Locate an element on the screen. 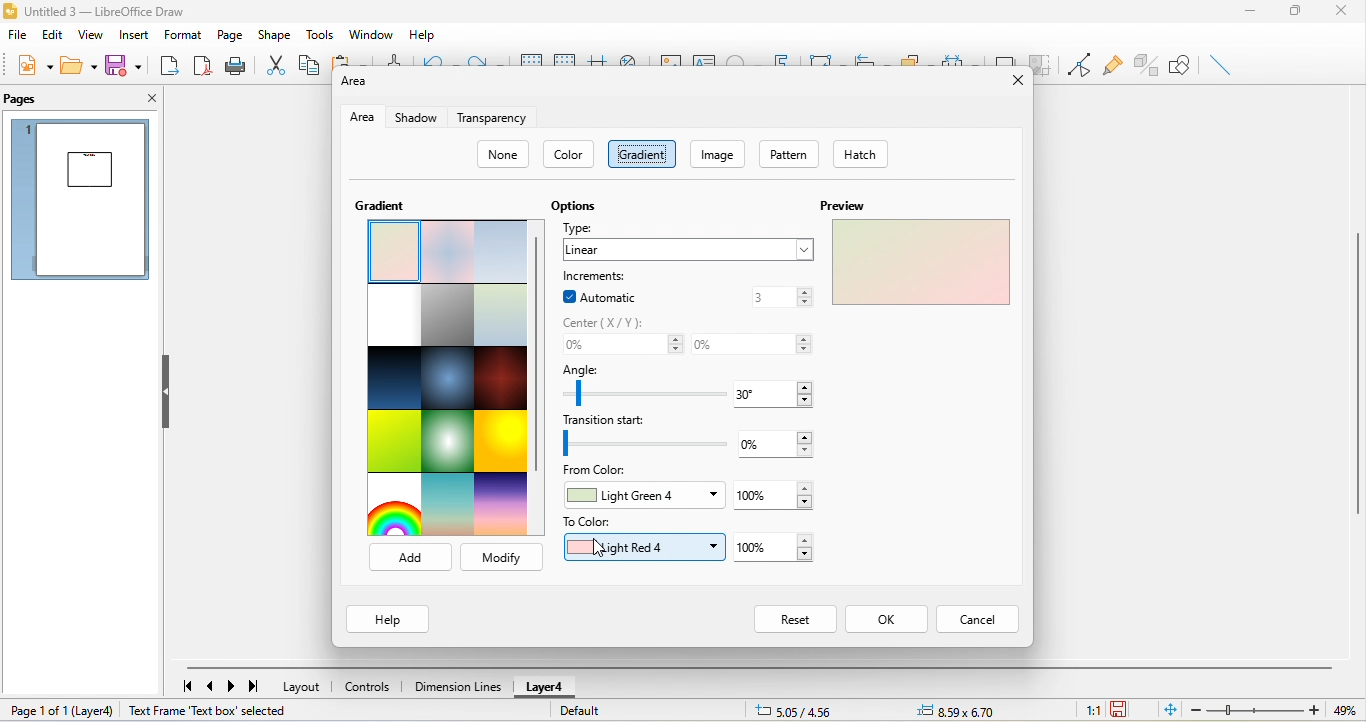  set center x/y- 0% is located at coordinates (622, 345).